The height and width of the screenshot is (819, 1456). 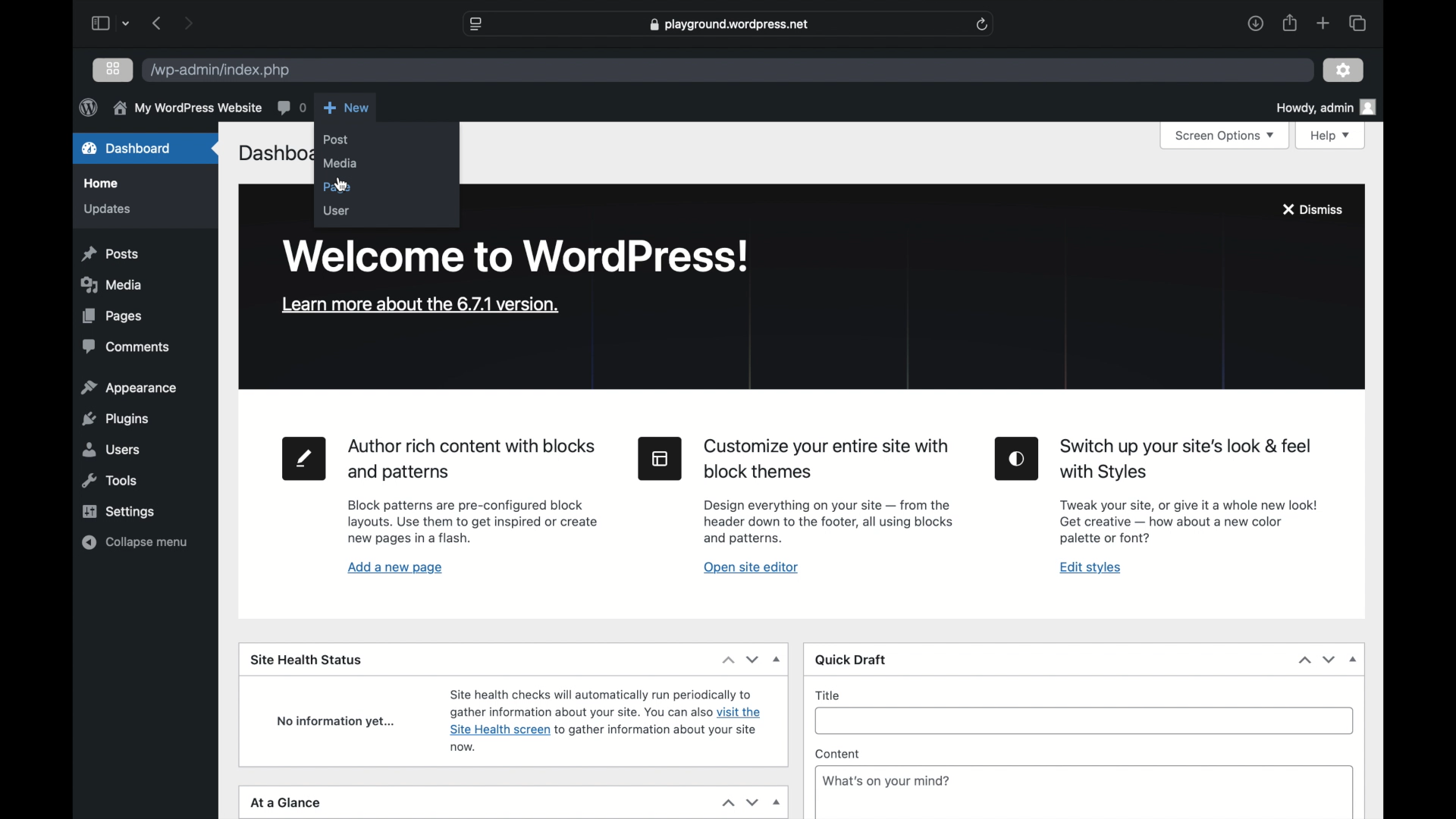 I want to click on cursor, so click(x=342, y=186).